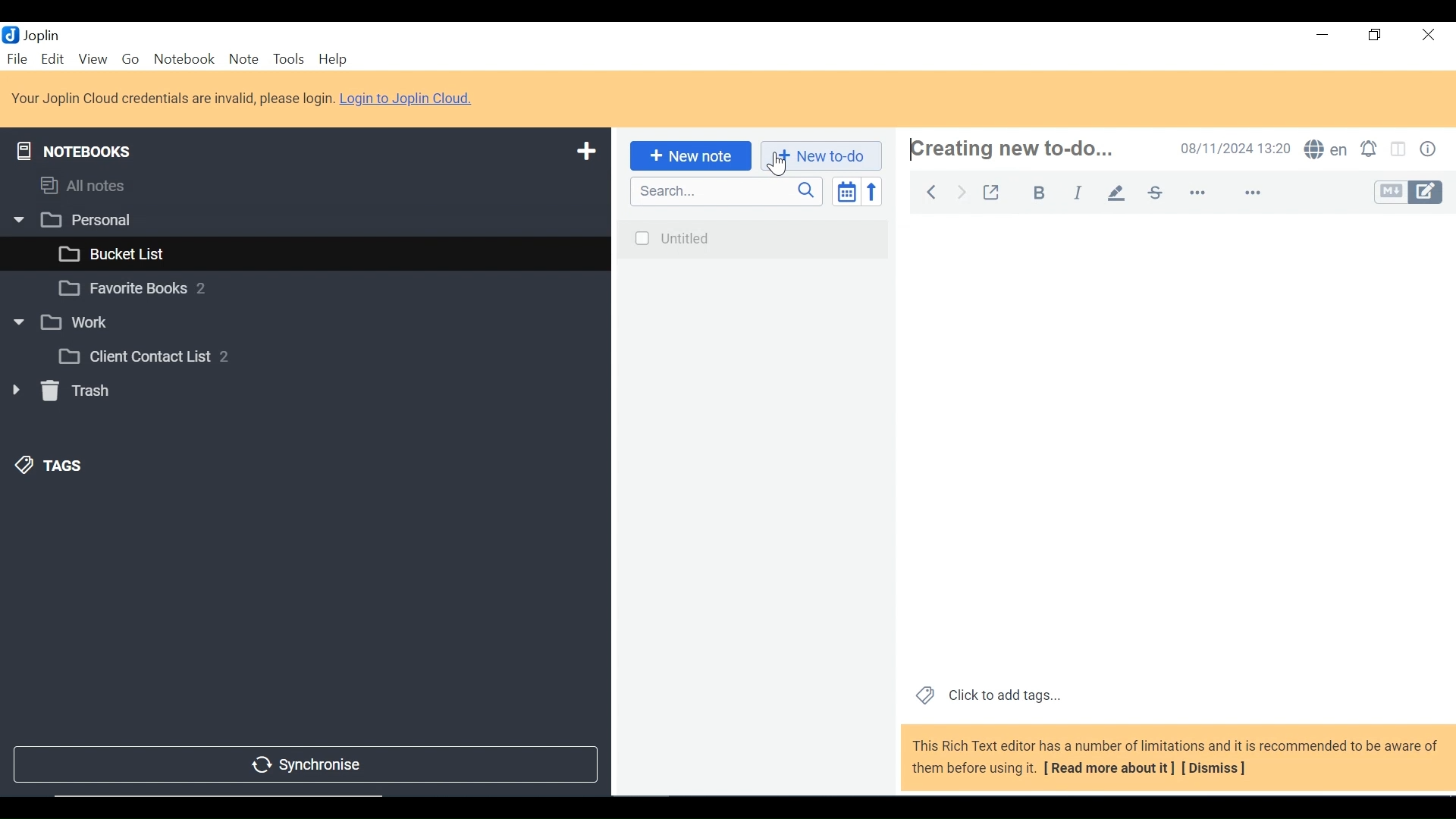  What do you see at coordinates (988, 696) in the screenshot?
I see `Click to add tags` at bounding box center [988, 696].